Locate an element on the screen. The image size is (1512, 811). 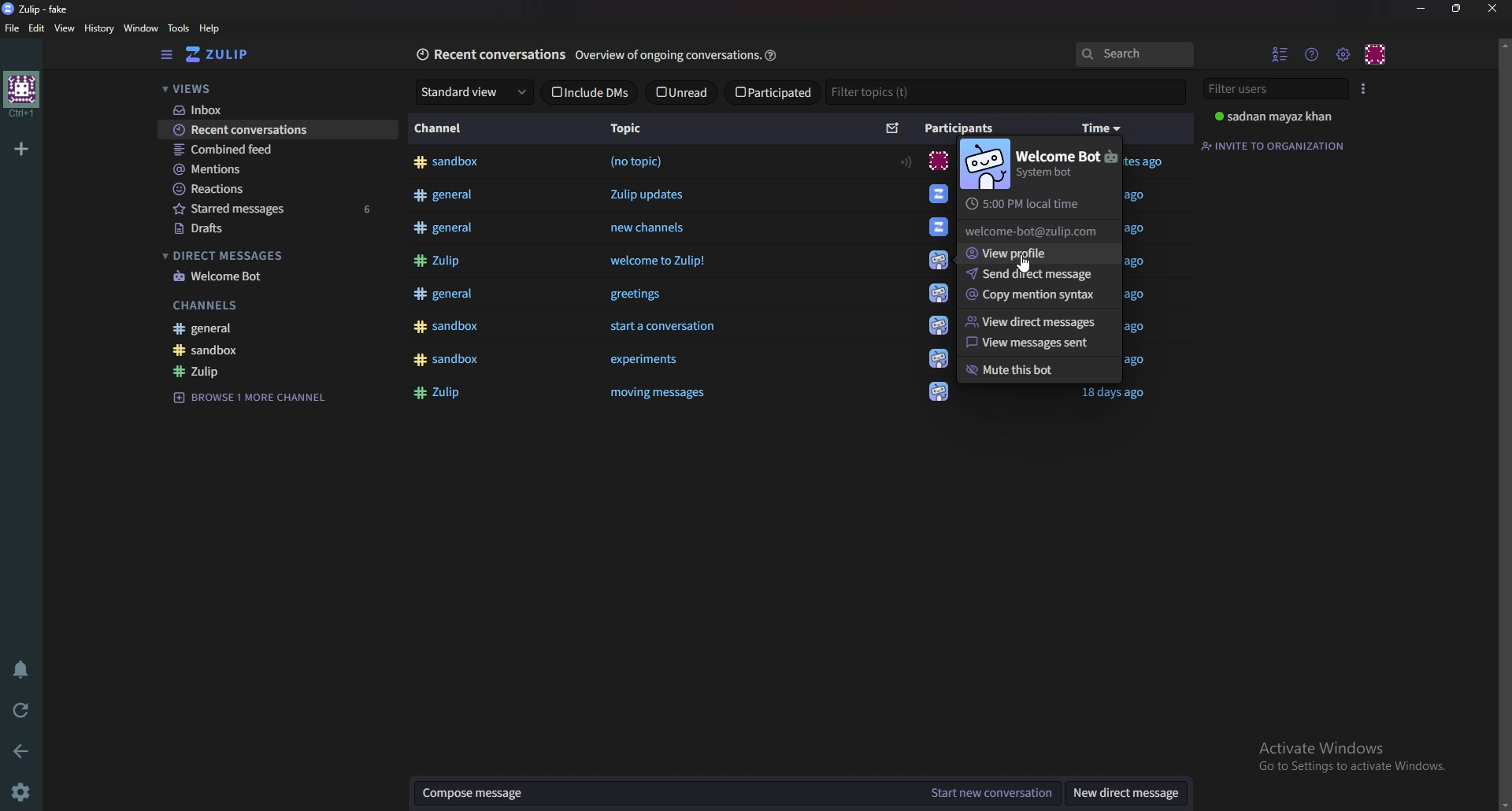
Participants is located at coordinates (962, 128).